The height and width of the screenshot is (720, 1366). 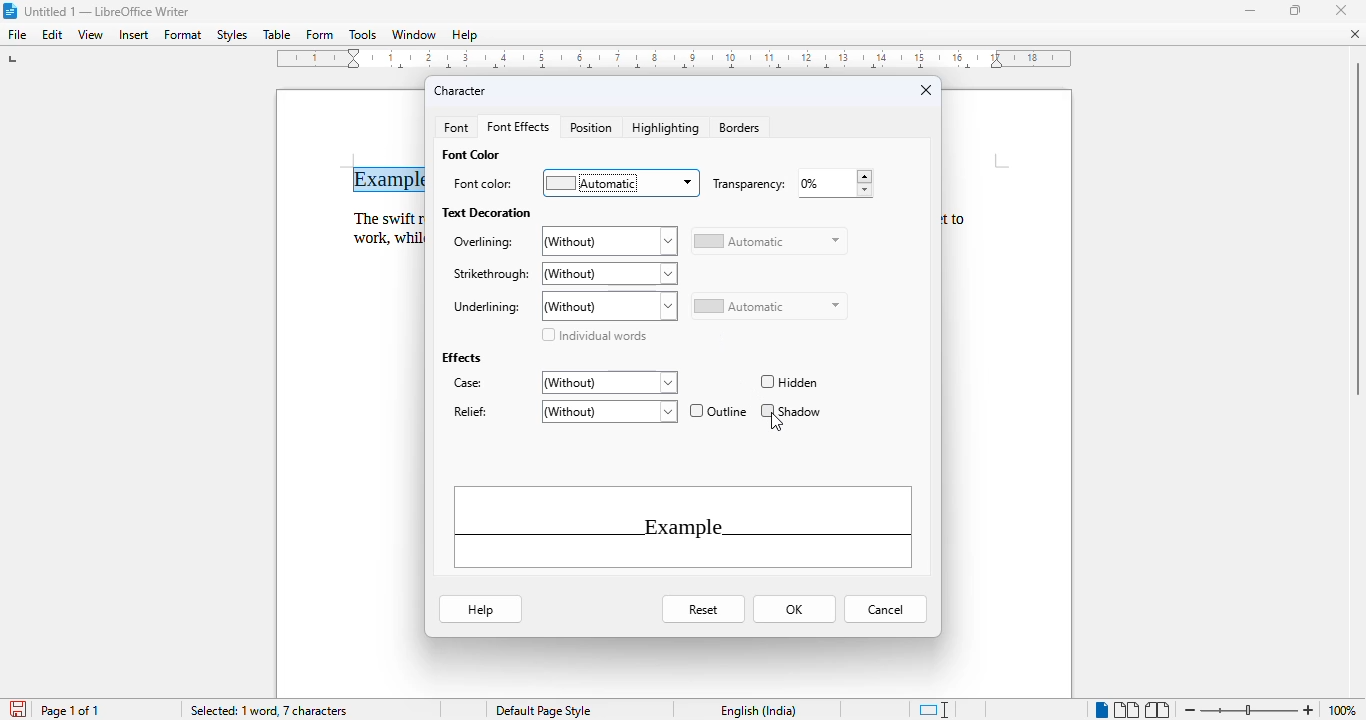 I want to click on window, so click(x=414, y=34).